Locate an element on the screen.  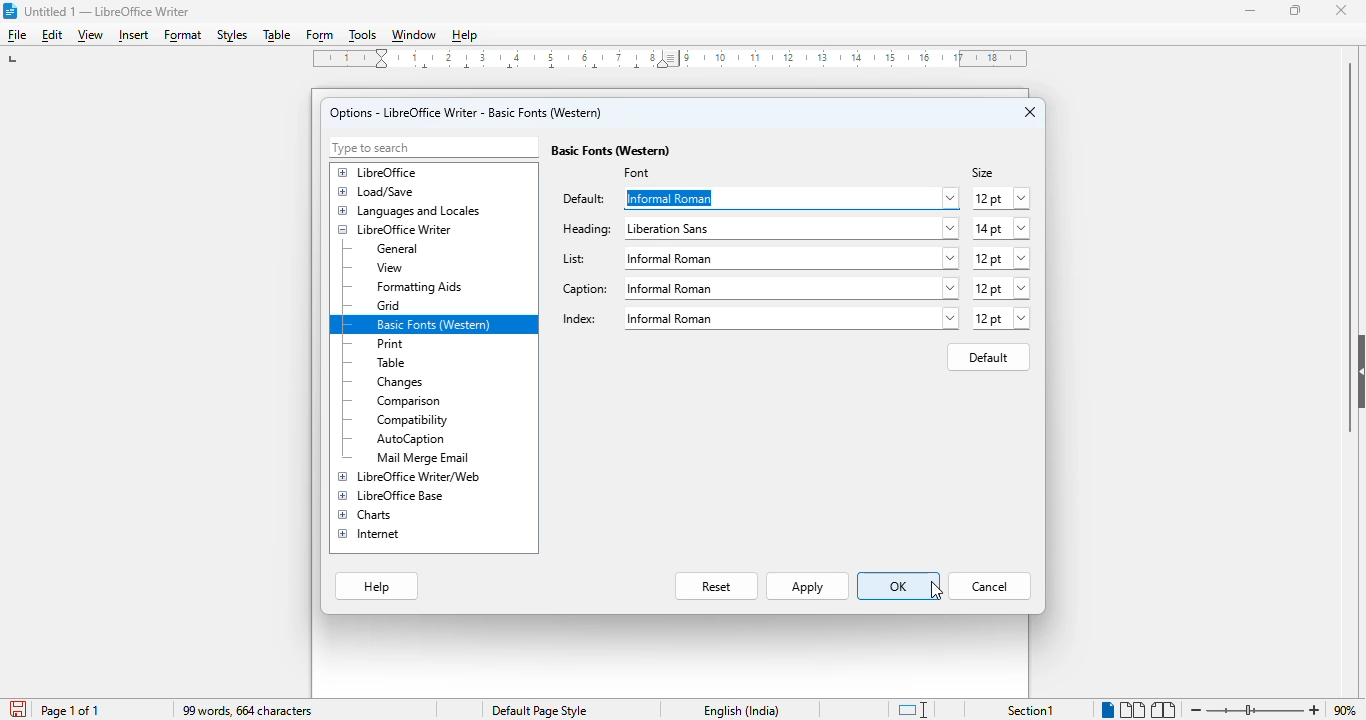
table is located at coordinates (392, 363).